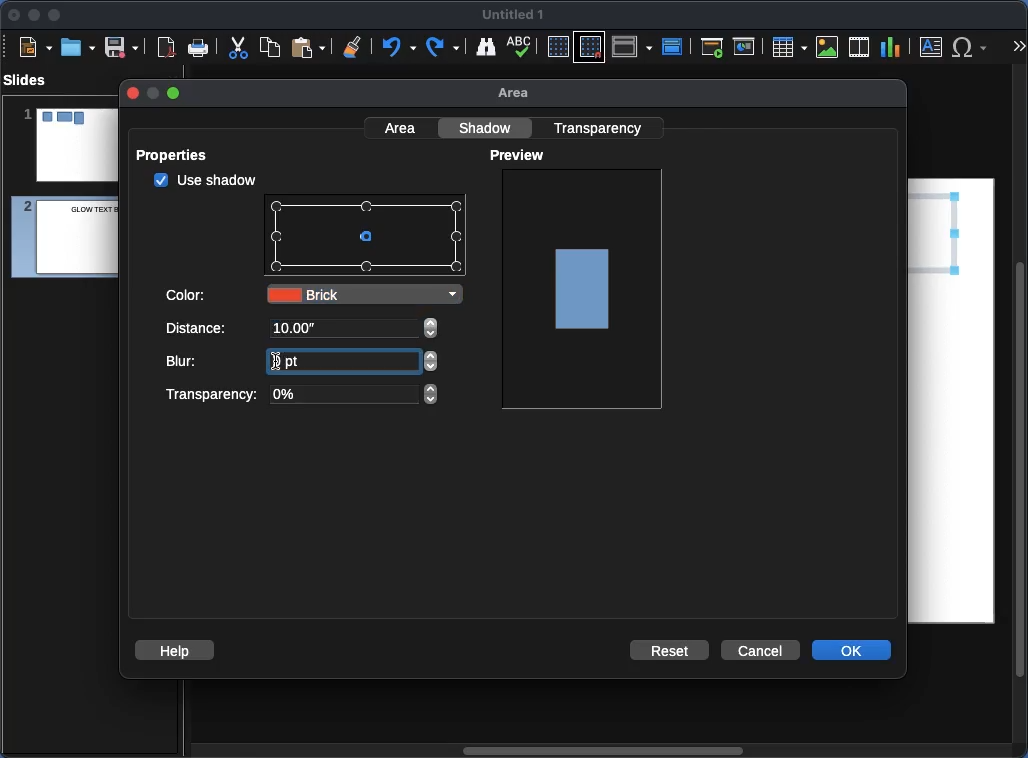  What do you see at coordinates (520, 156) in the screenshot?
I see `Preview` at bounding box center [520, 156].